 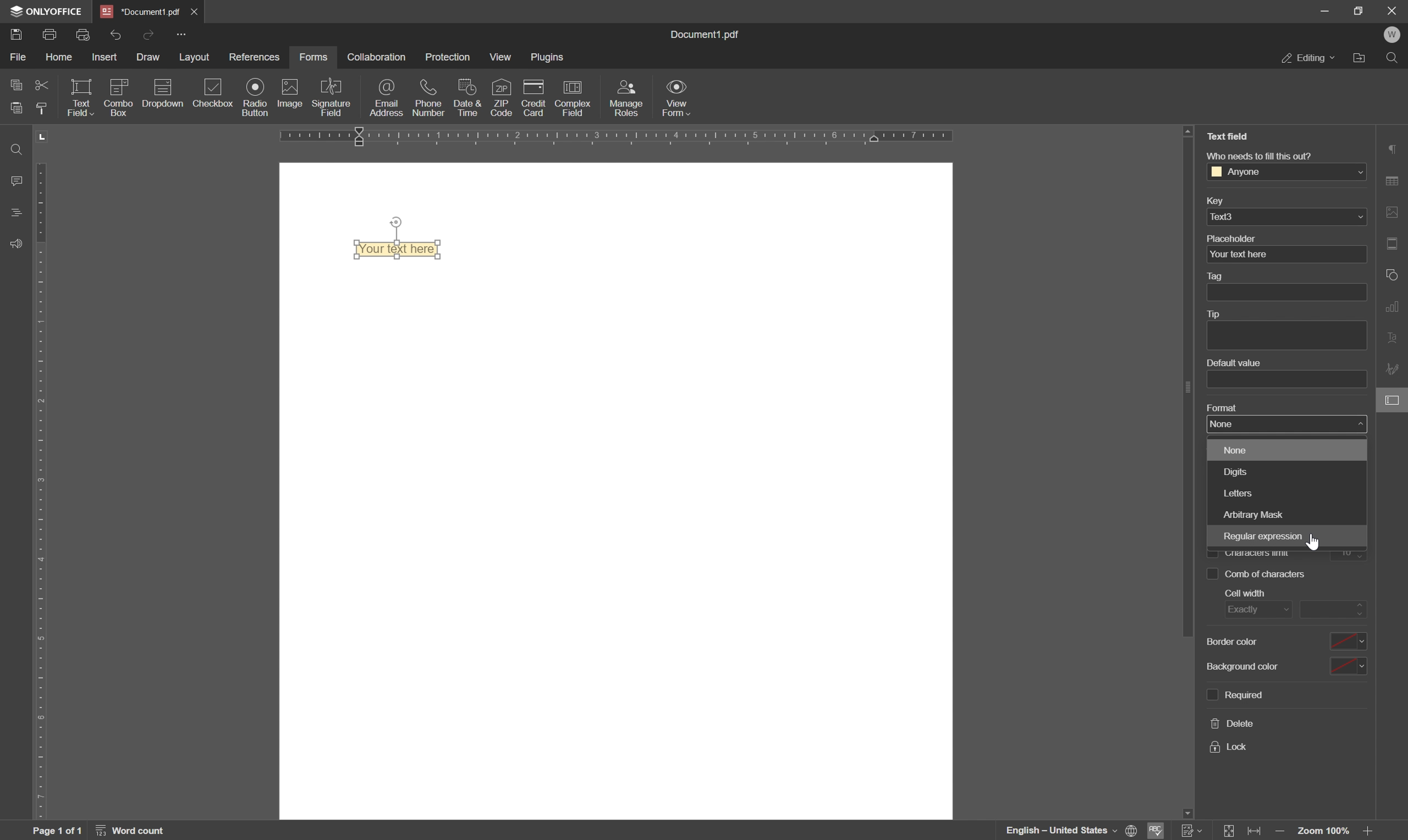 I want to click on your text here, so click(x=1238, y=255).